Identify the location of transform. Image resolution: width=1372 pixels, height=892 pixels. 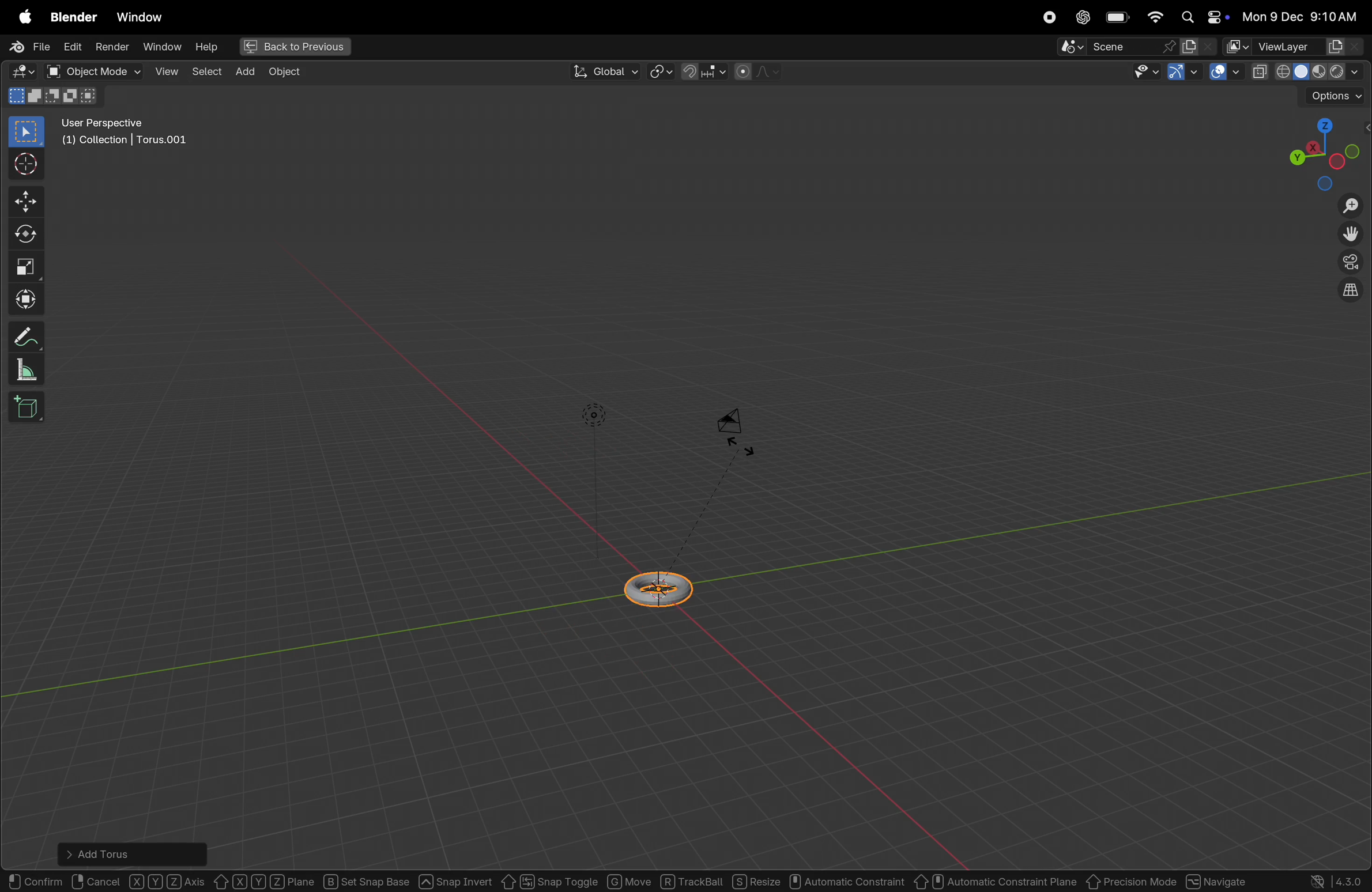
(29, 300).